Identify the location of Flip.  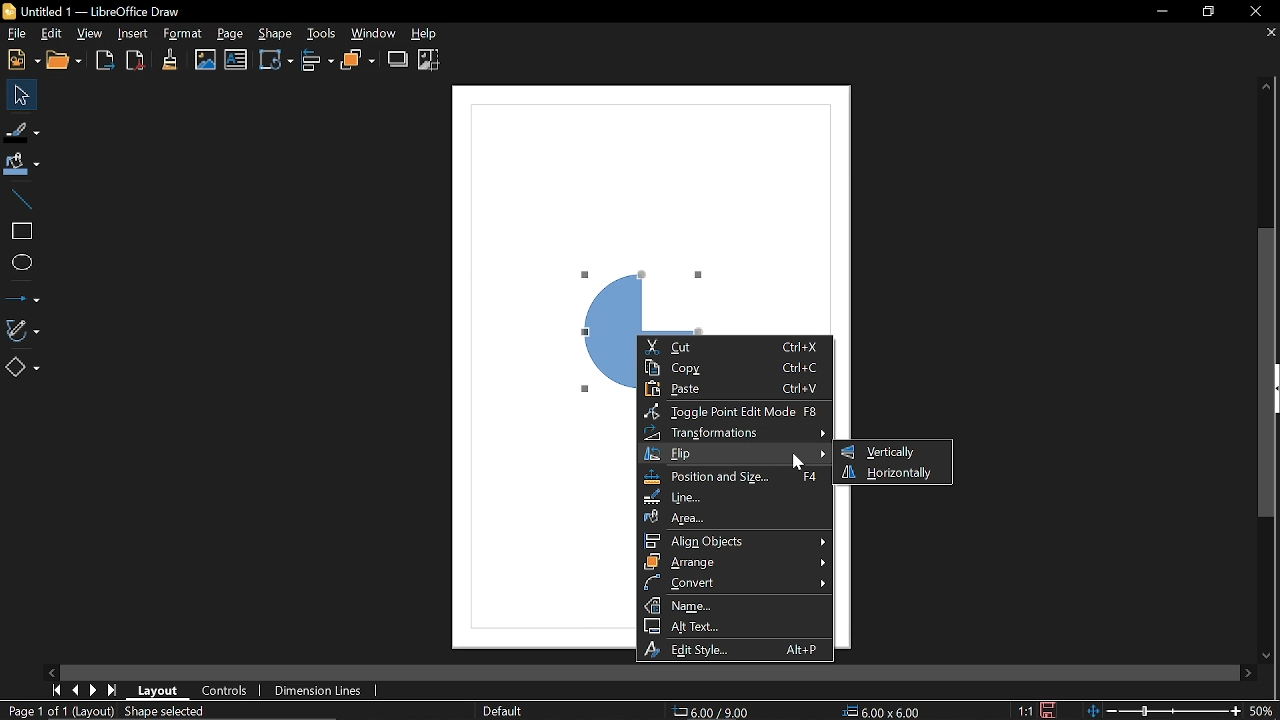
(738, 454).